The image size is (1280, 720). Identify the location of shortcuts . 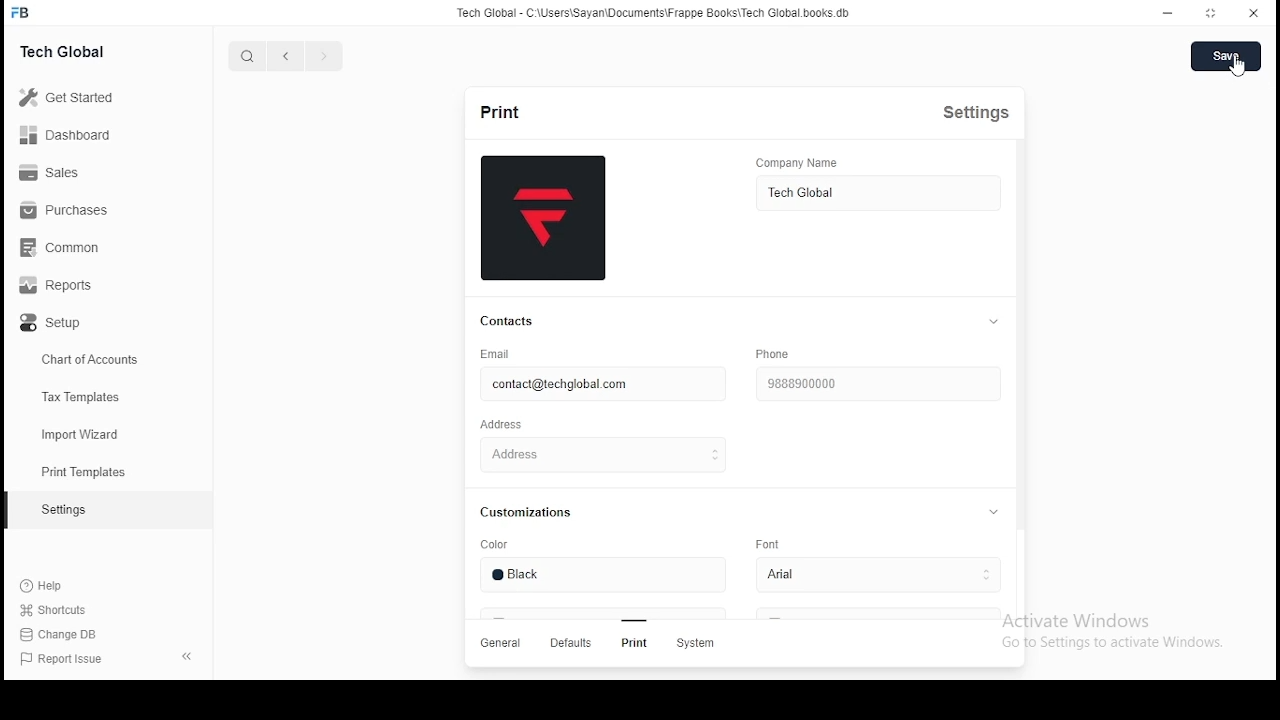
(56, 613).